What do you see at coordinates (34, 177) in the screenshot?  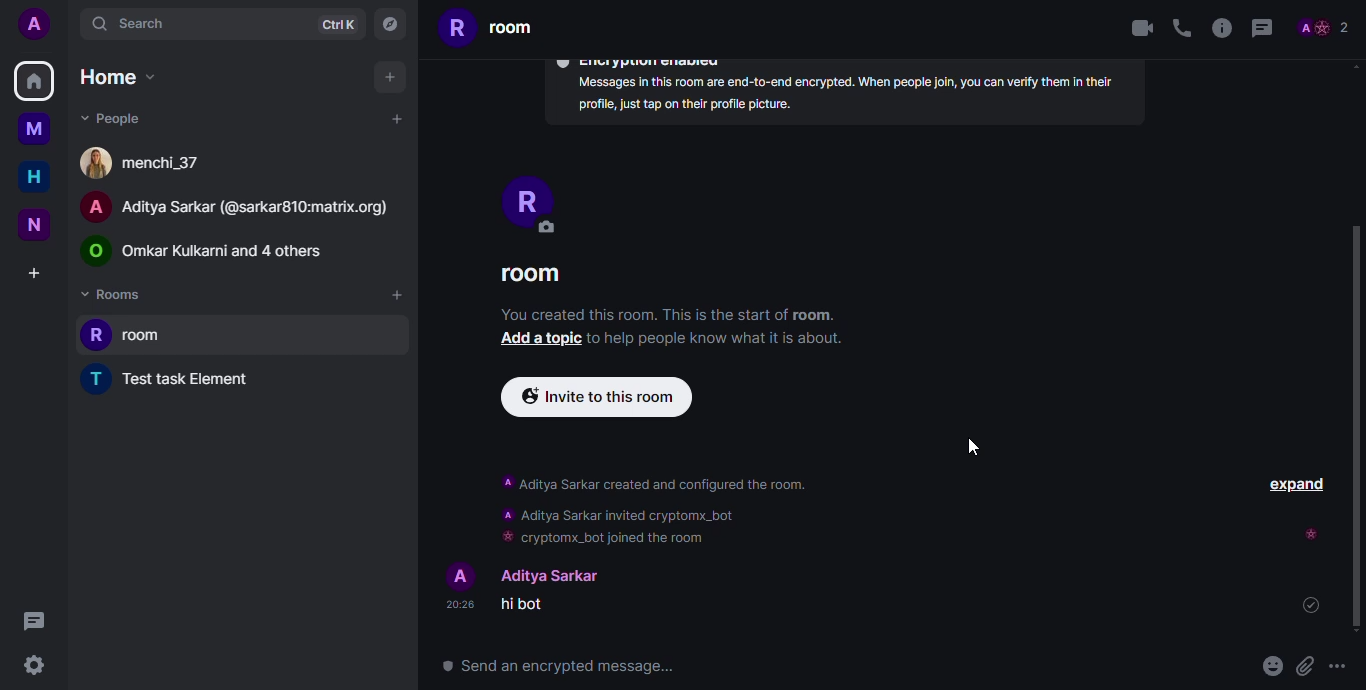 I see `home` at bounding box center [34, 177].